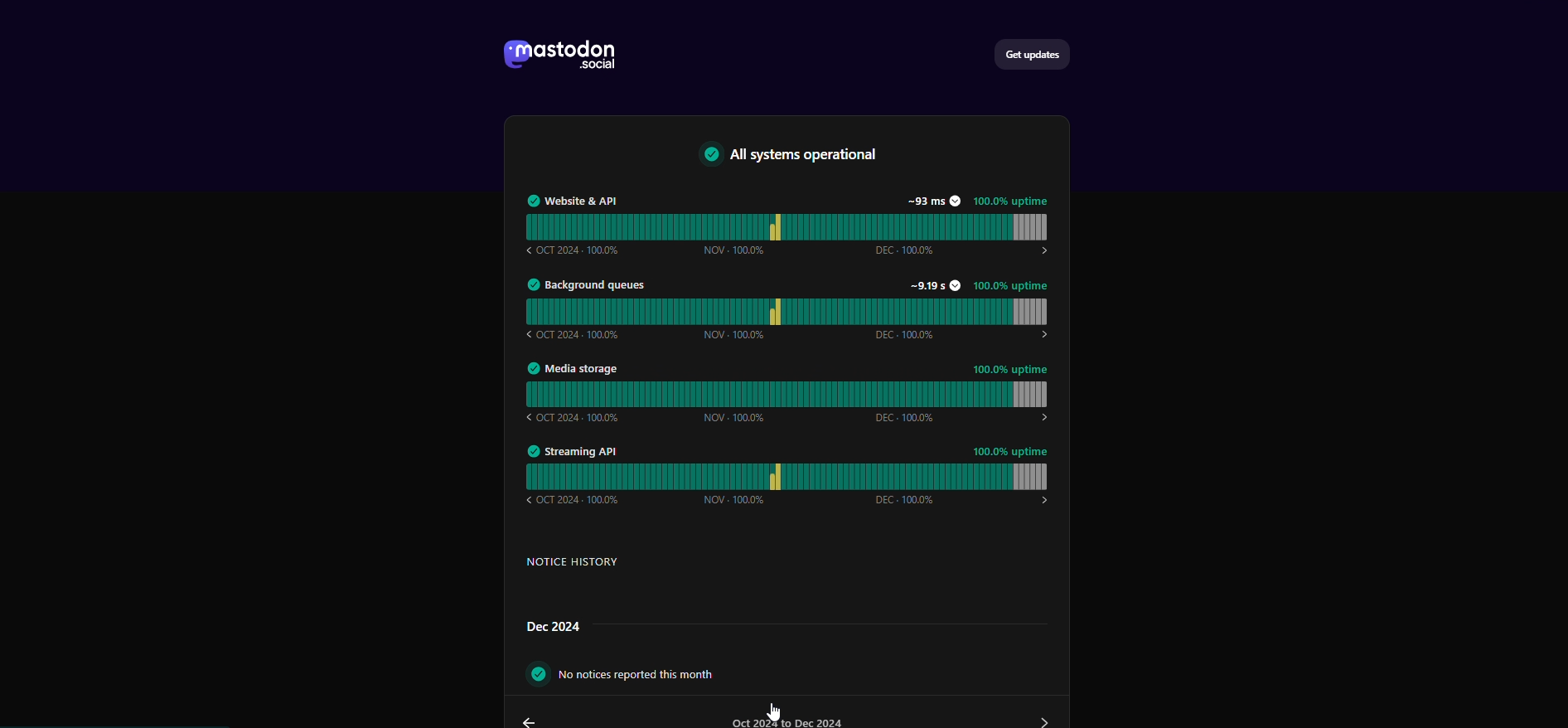 This screenshot has width=1568, height=728. I want to click on streaming api status, so click(791, 471).